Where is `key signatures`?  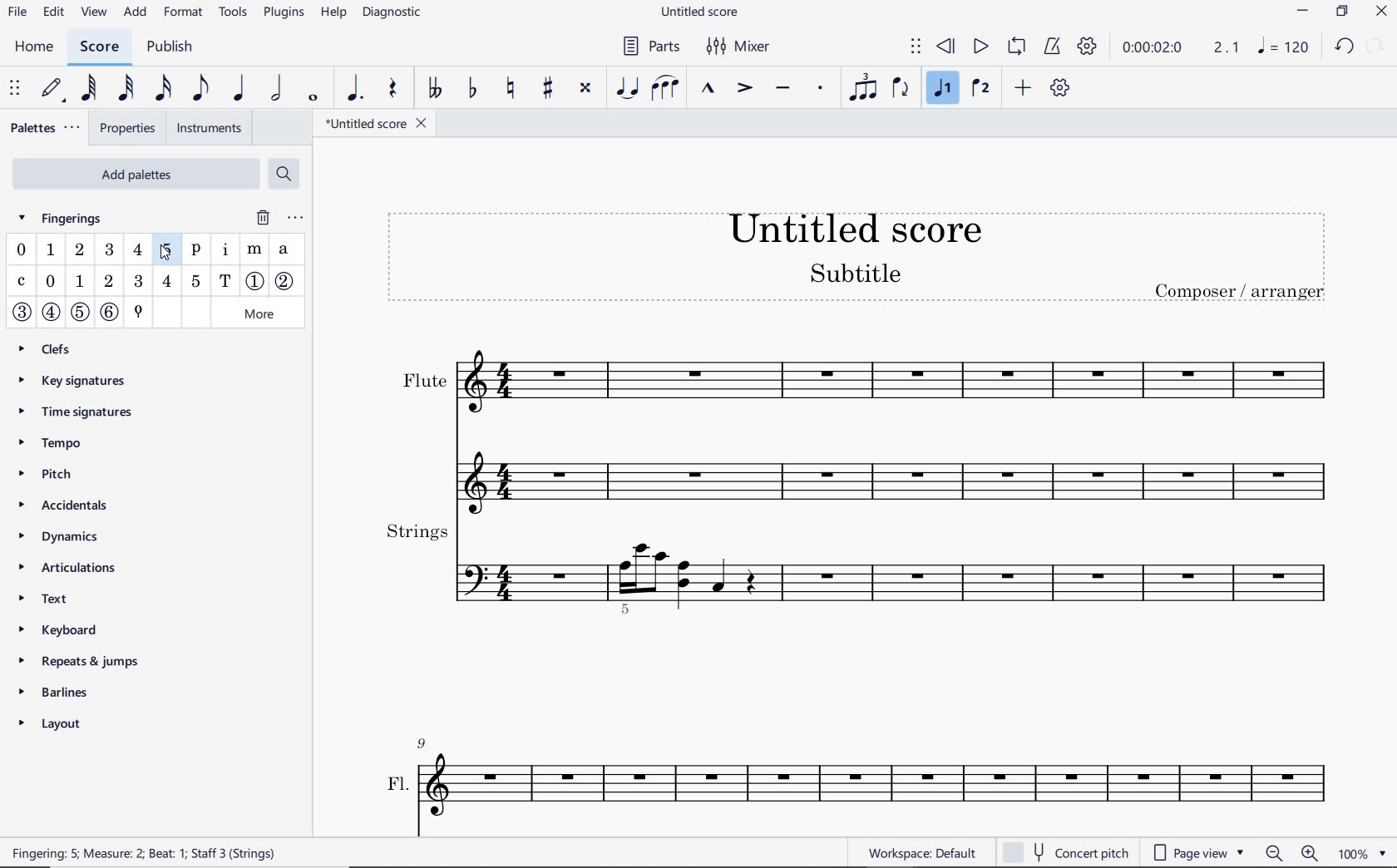 key signatures is located at coordinates (76, 379).